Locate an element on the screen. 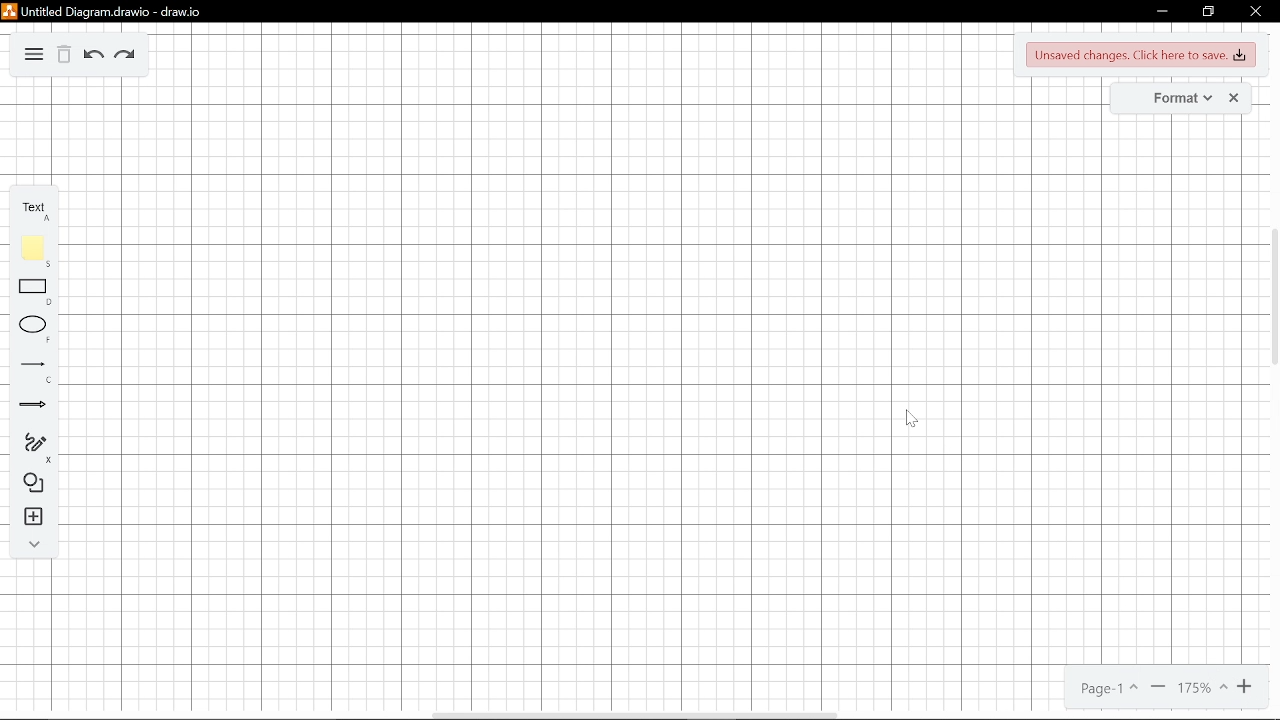 This screenshot has height=720, width=1280. current zoom at 175% after clicking on Zoom in button is located at coordinates (1206, 686).